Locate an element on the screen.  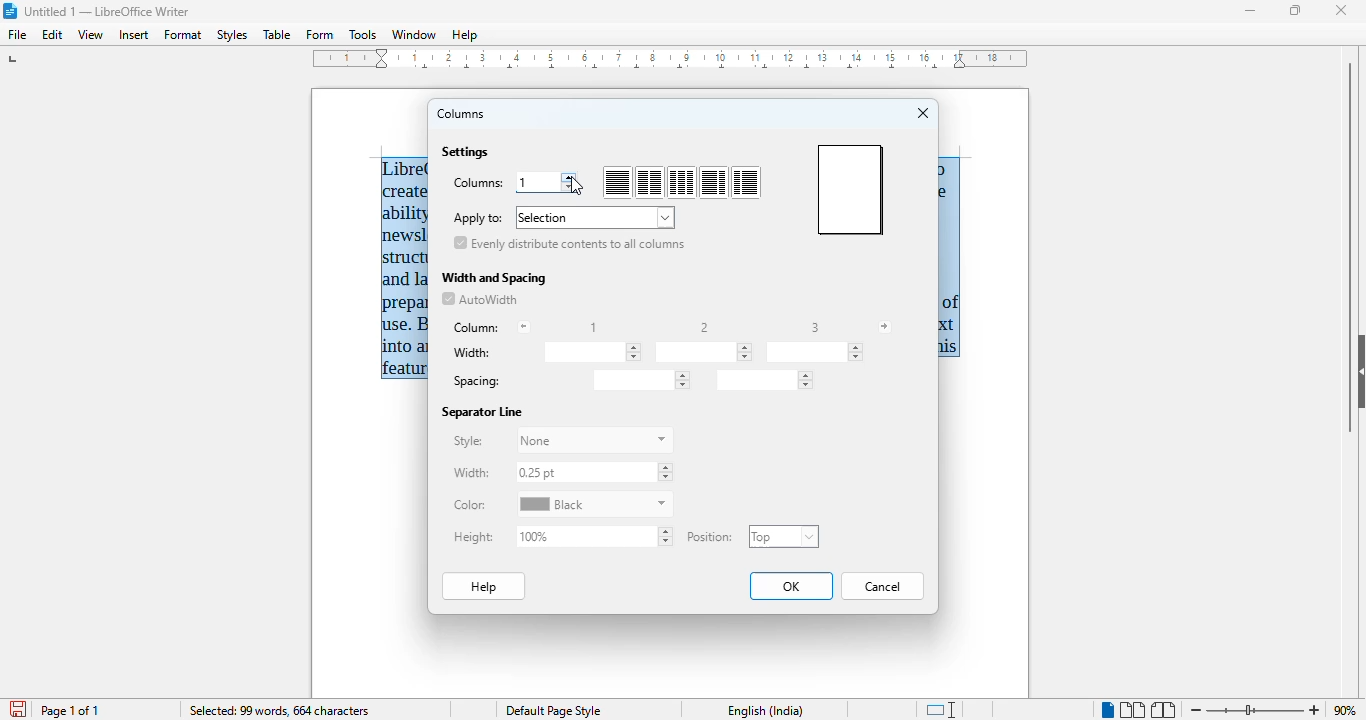
height:  is located at coordinates (474, 537).